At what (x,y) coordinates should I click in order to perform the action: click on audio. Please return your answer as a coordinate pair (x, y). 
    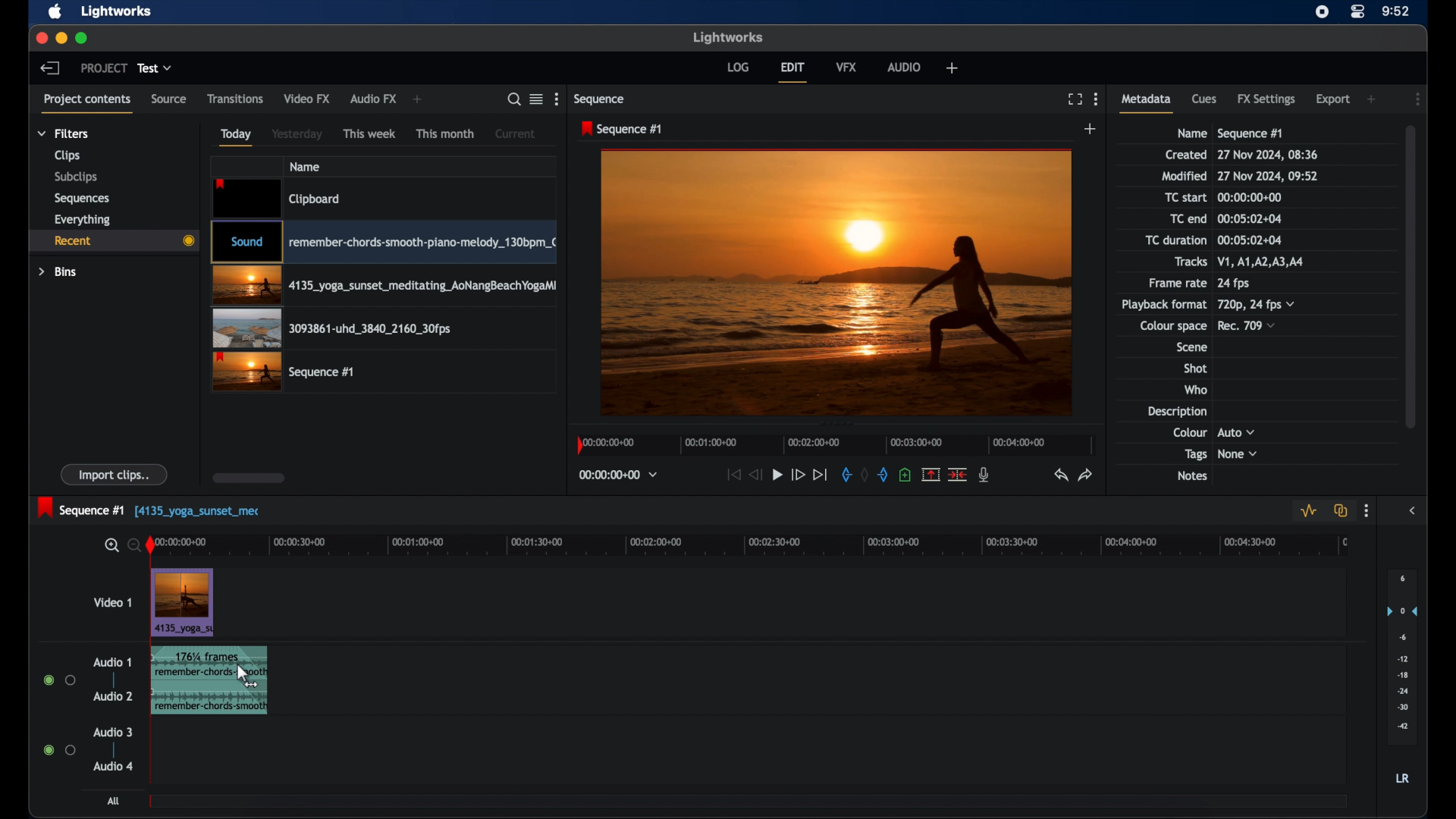
    Looking at the image, I should click on (905, 67).